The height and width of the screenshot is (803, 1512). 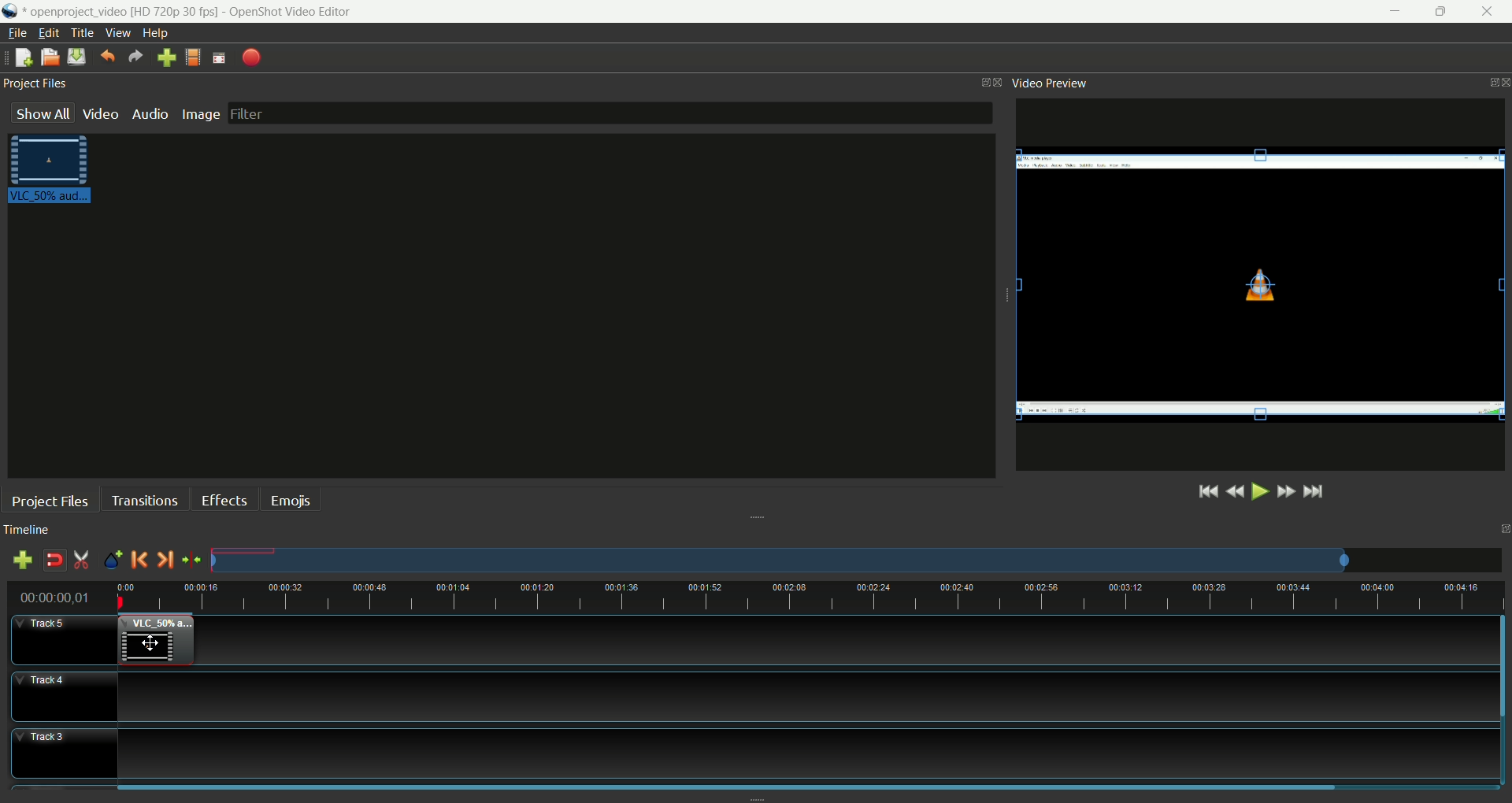 What do you see at coordinates (64, 754) in the screenshot?
I see `track3` at bounding box center [64, 754].